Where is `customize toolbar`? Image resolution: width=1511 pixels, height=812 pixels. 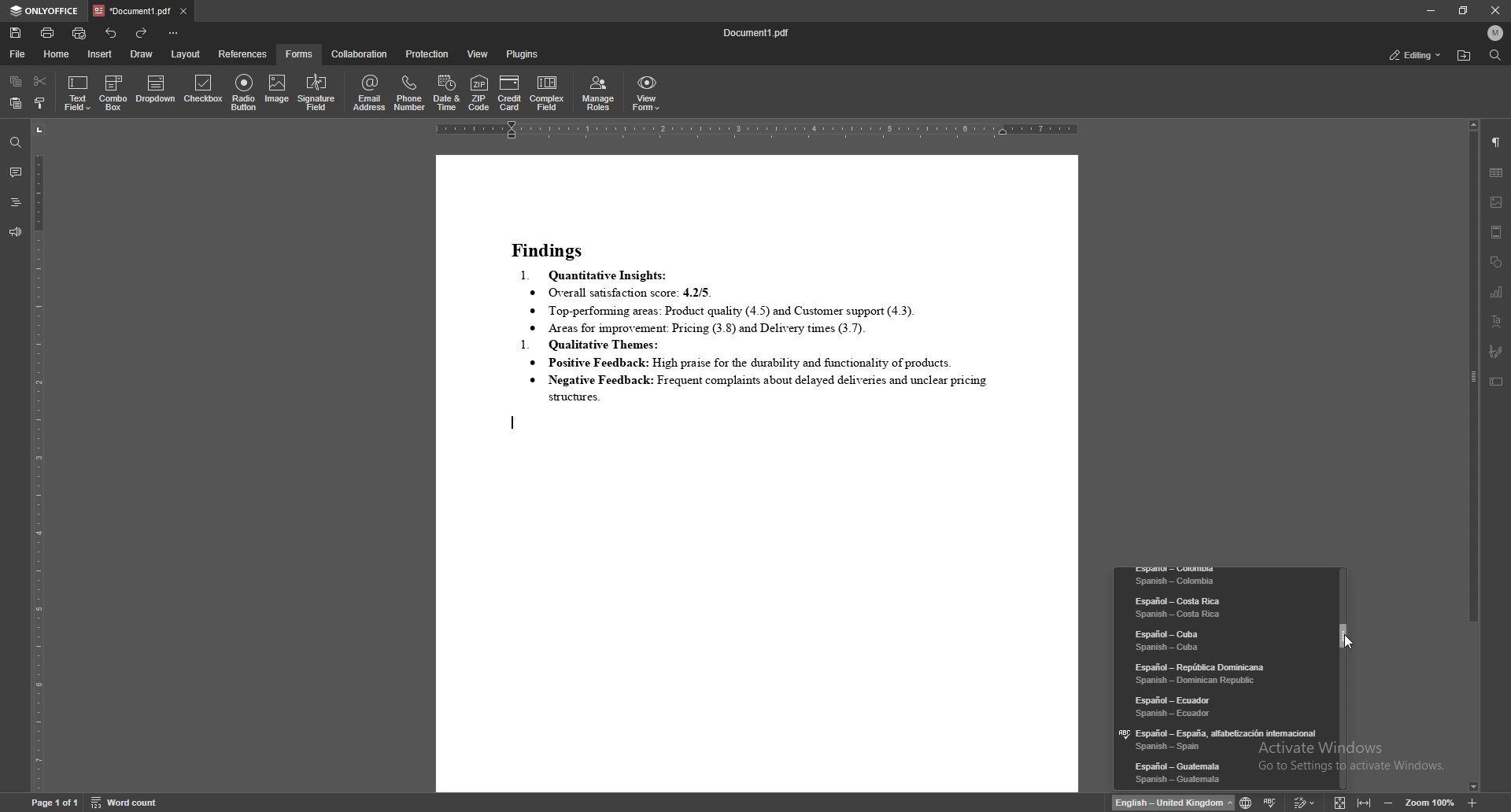 customize toolbar is located at coordinates (174, 34).